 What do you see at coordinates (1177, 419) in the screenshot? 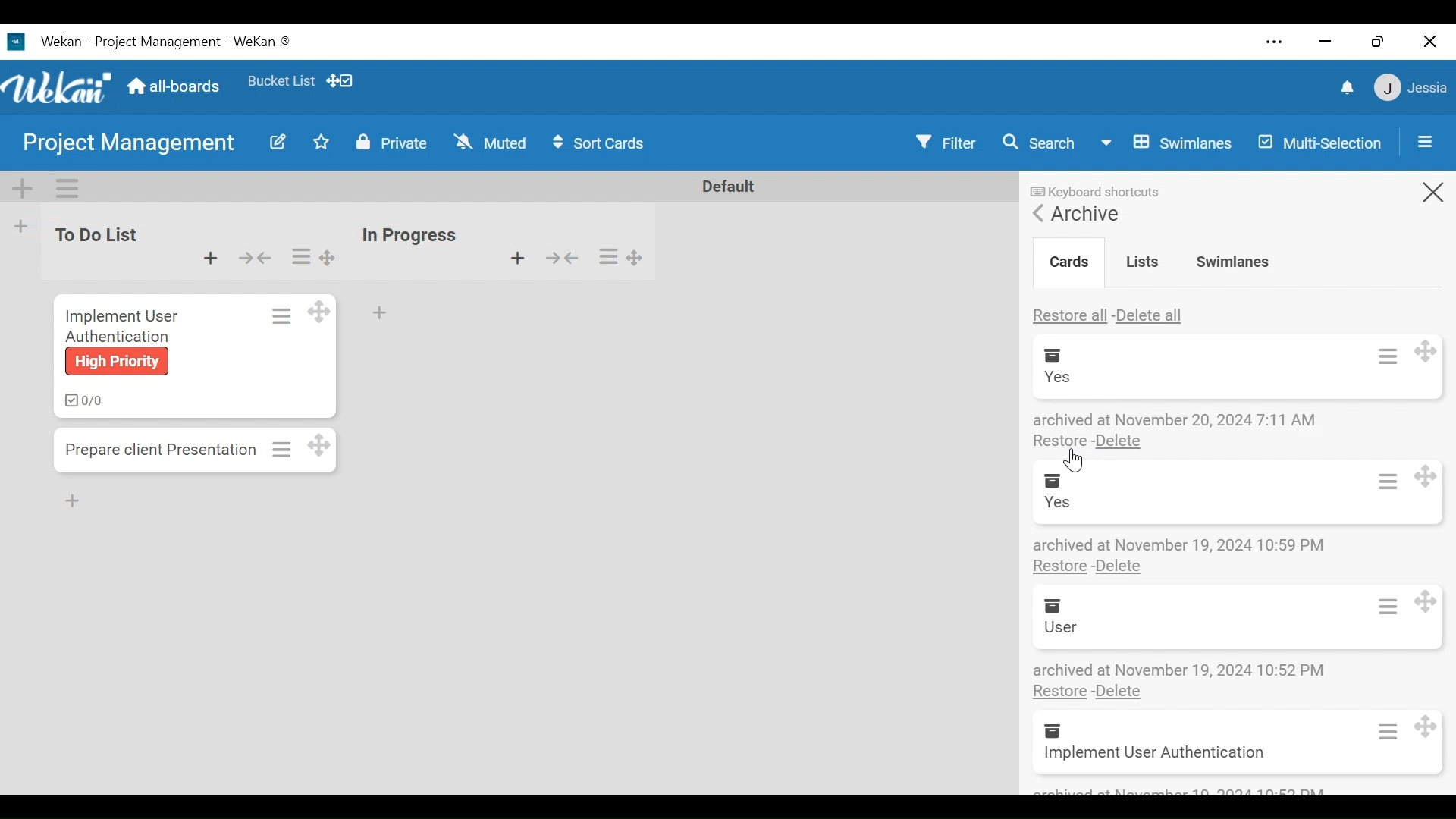
I see `archive details` at bounding box center [1177, 419].